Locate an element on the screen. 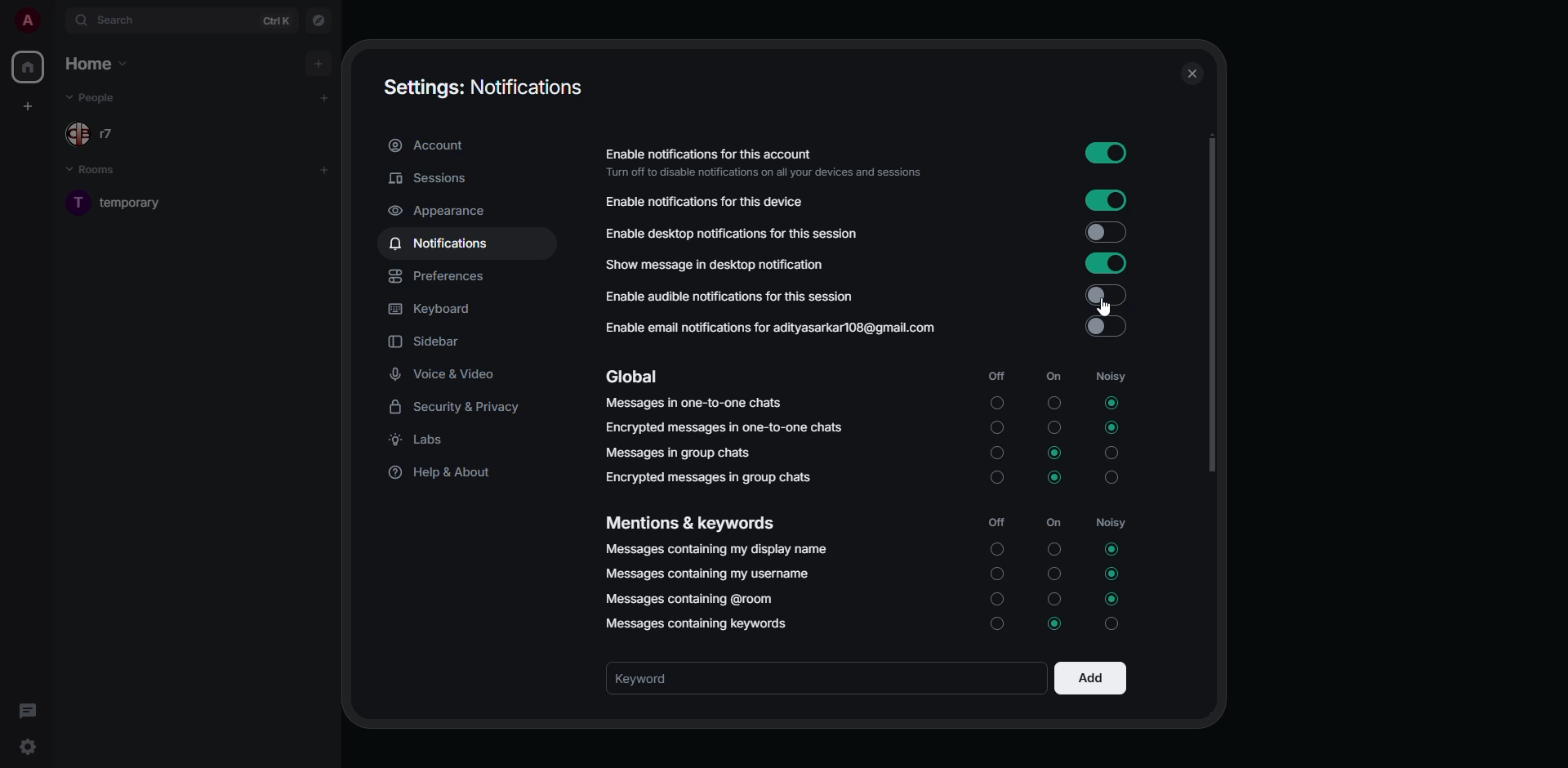 This screenshot has width=1568, height=768. noisy is located at coordinates (1107, 375).